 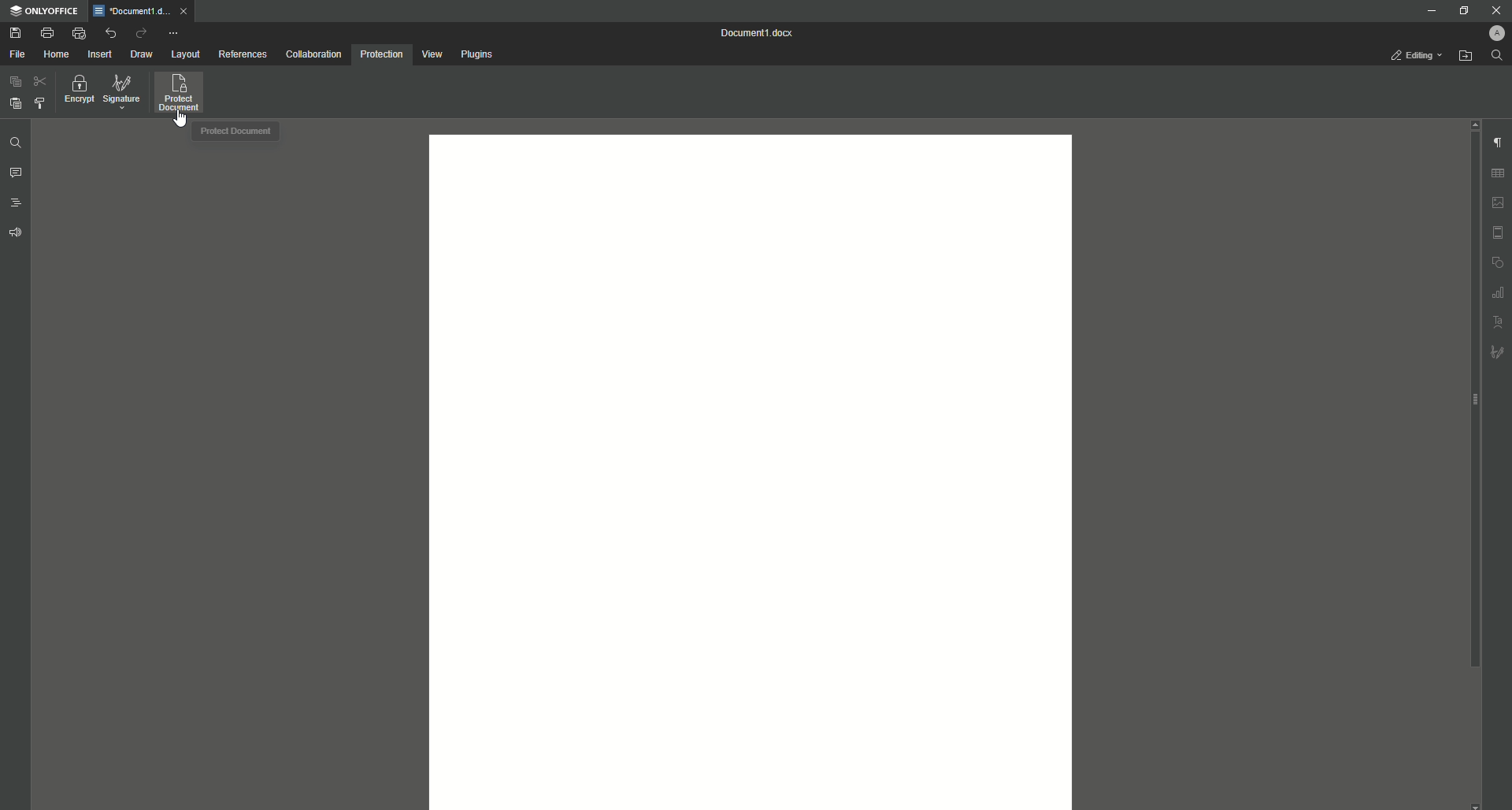 I want to click on Paste, so click(x=13, y=103).